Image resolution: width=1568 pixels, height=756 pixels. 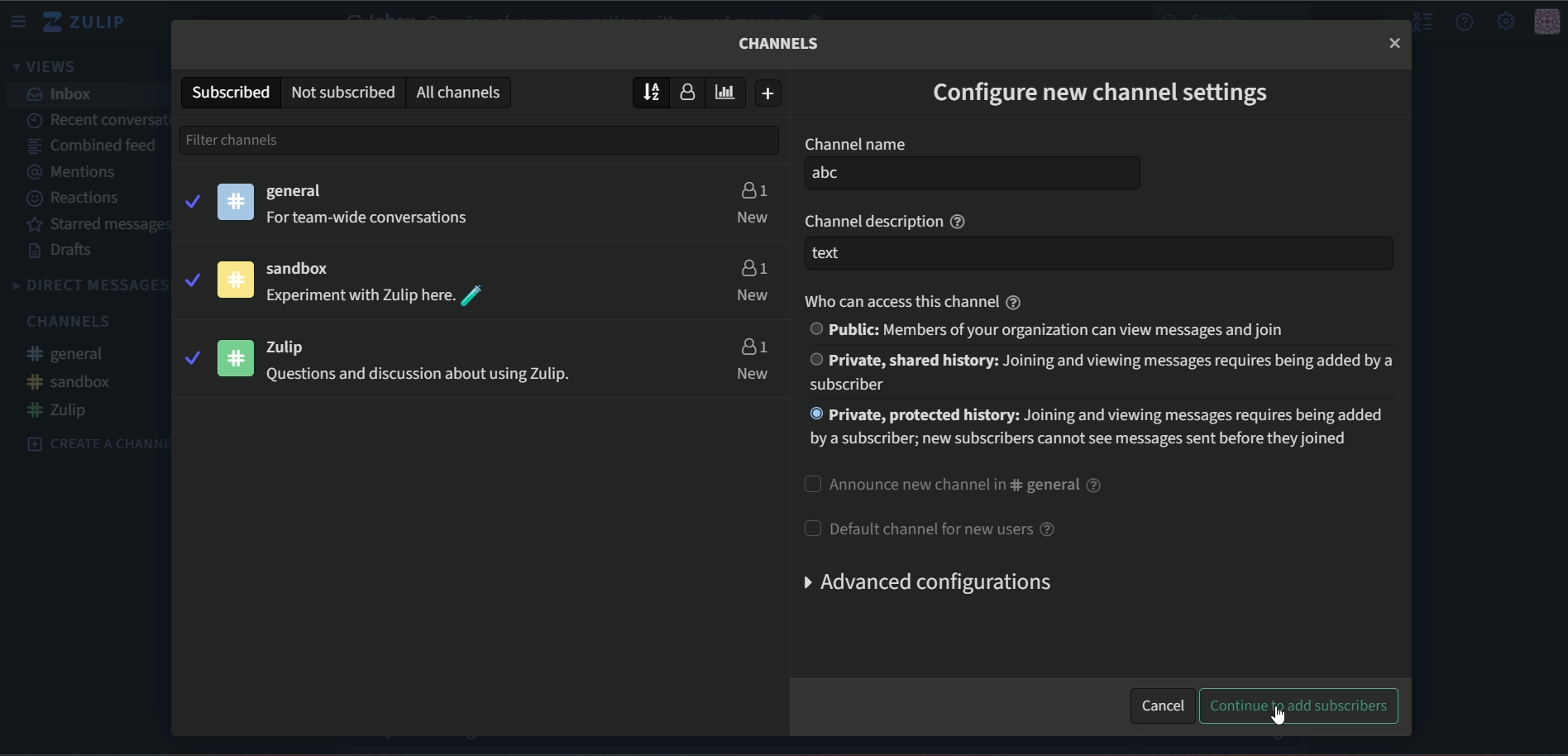 What do you see at coordinates (753, 188) in the screenshot?
I see `users` at bounding box center [753, 188].